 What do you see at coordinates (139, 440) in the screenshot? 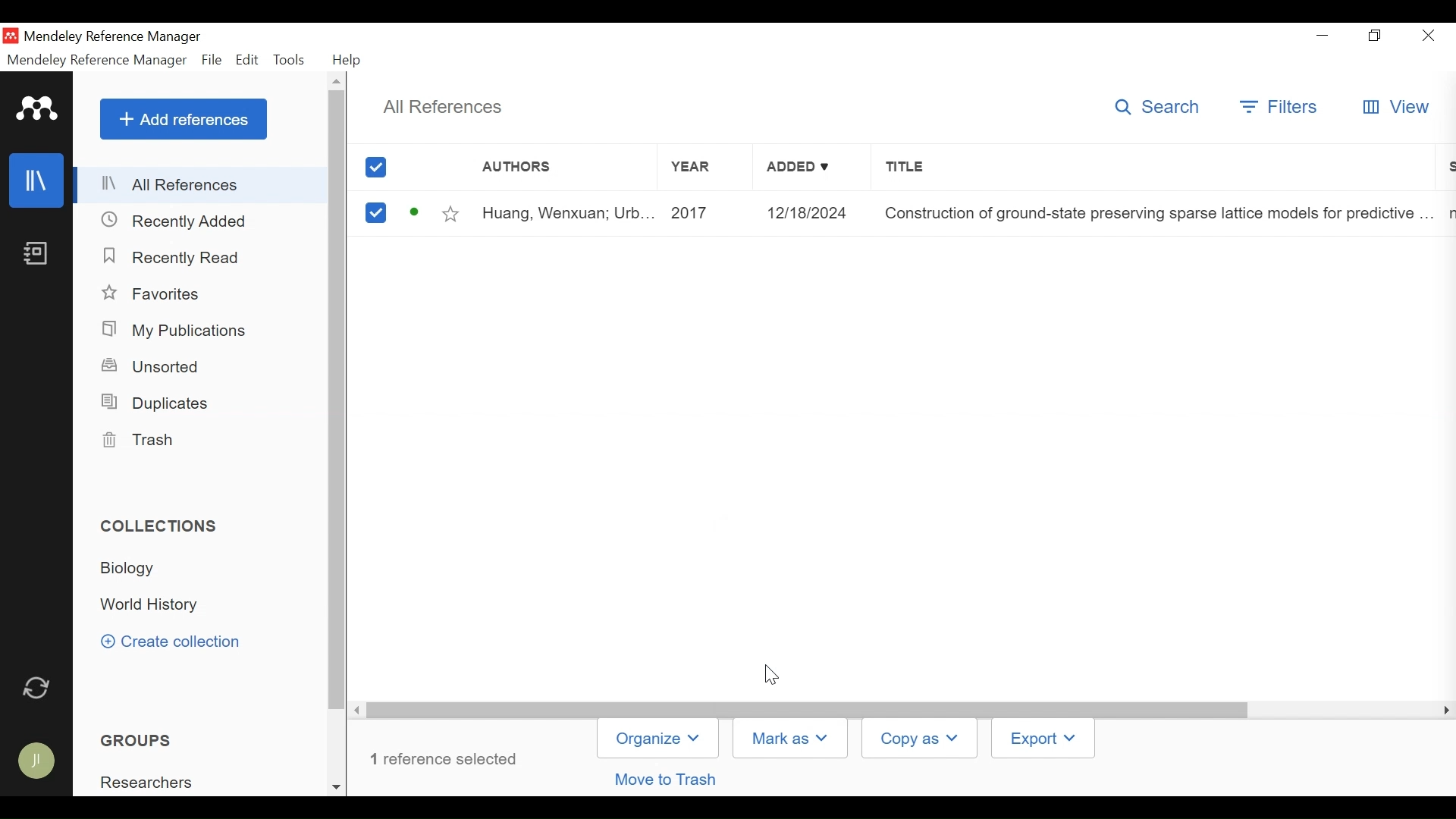
I see `Trash` at bounding box center [139, 440].